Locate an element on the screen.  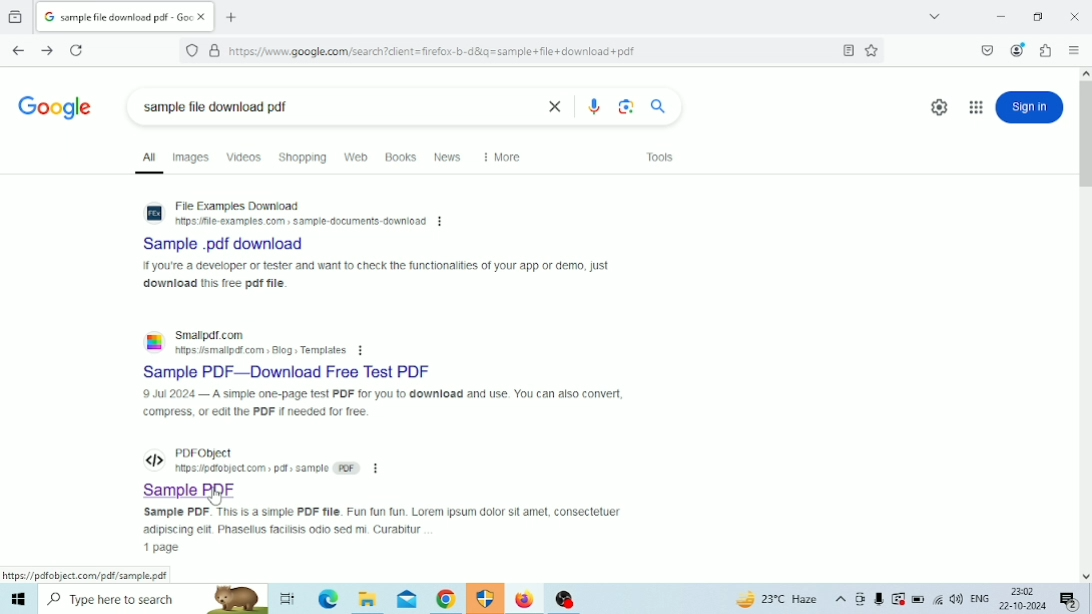
Overview of the website search is located at coordinates (375, 275).